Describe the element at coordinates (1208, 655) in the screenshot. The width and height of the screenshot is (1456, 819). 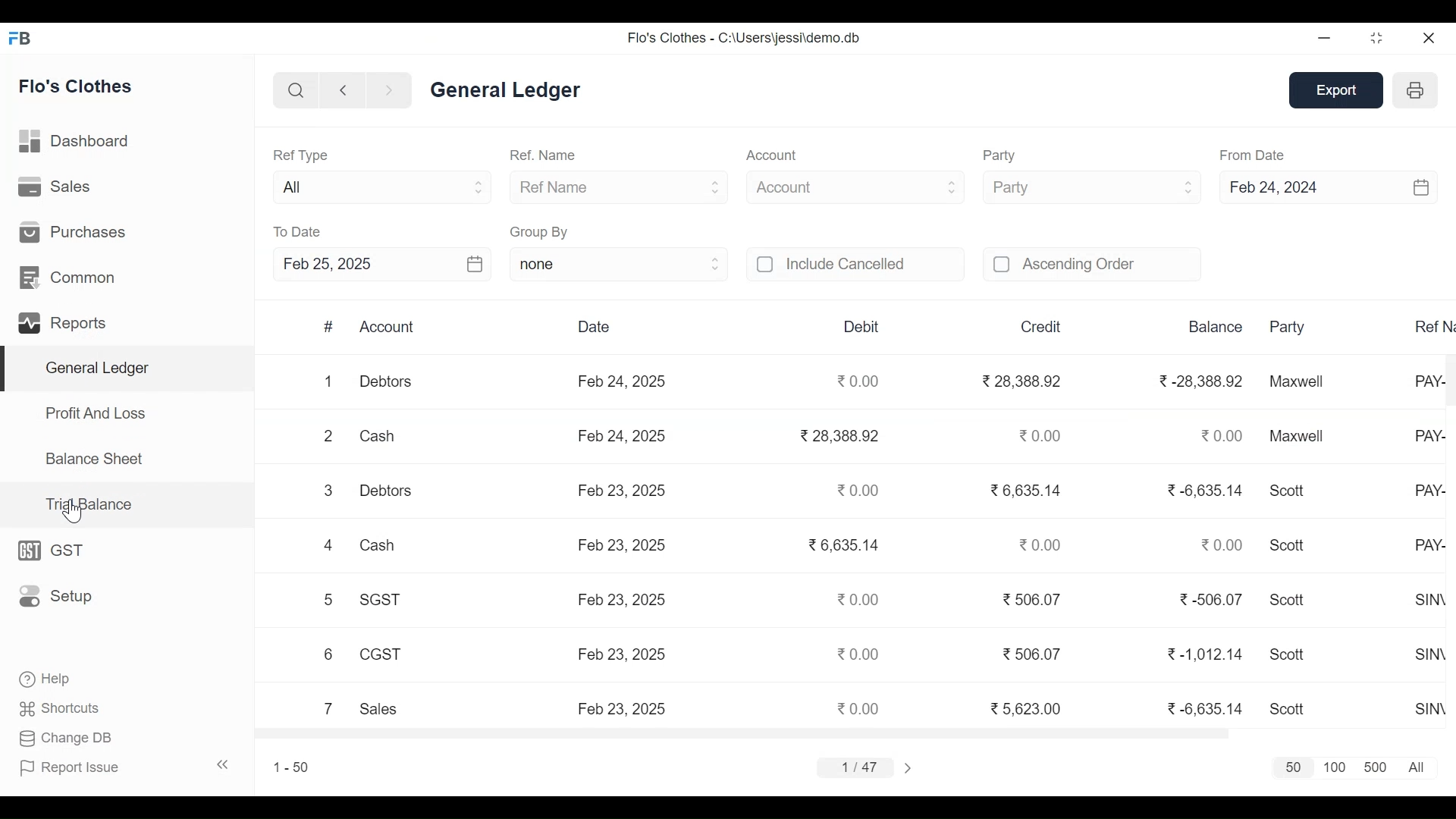
I see `-1,012.14` at that location.